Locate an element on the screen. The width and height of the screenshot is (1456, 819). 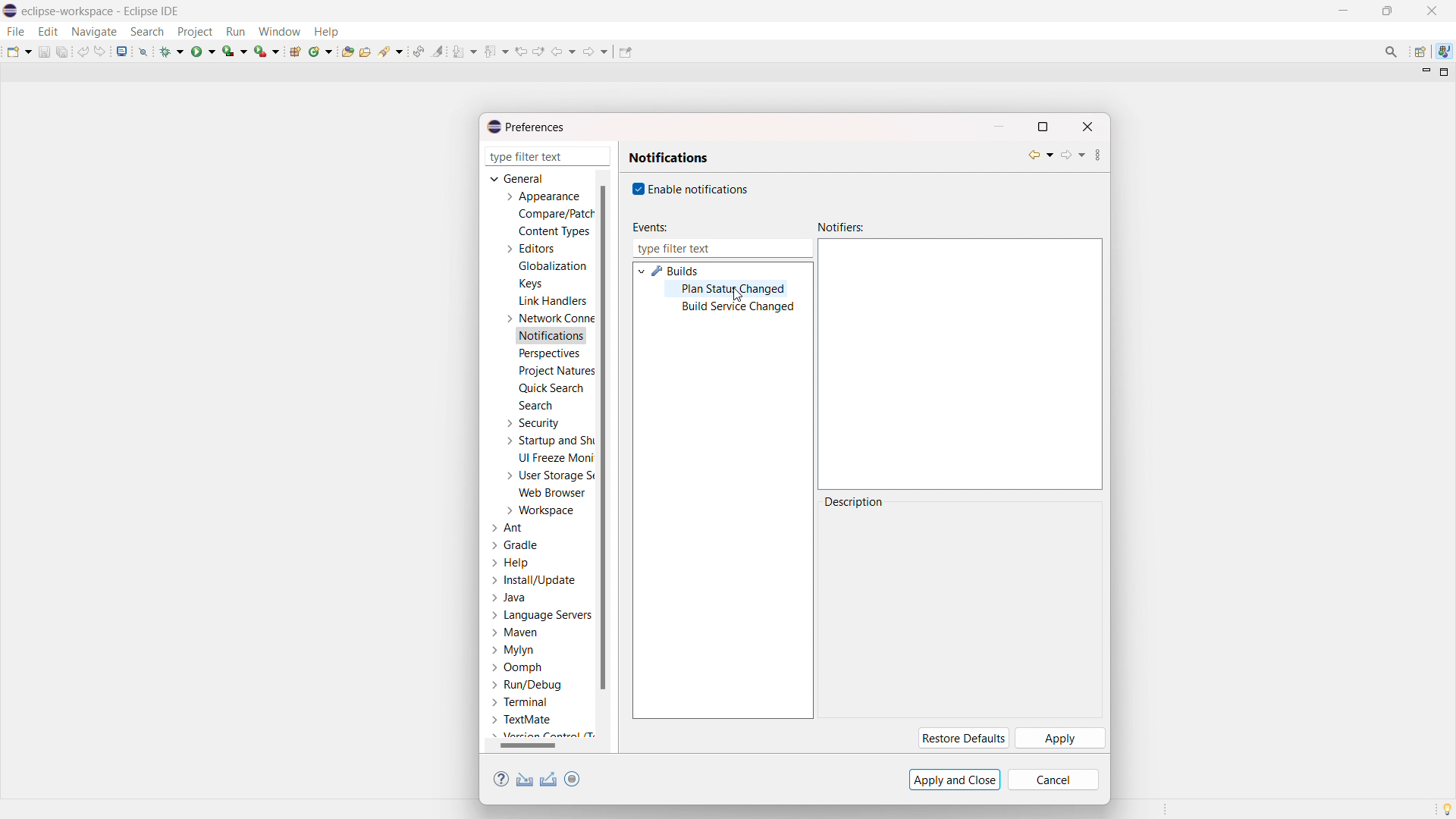
search is located at coordinates (535, 405).